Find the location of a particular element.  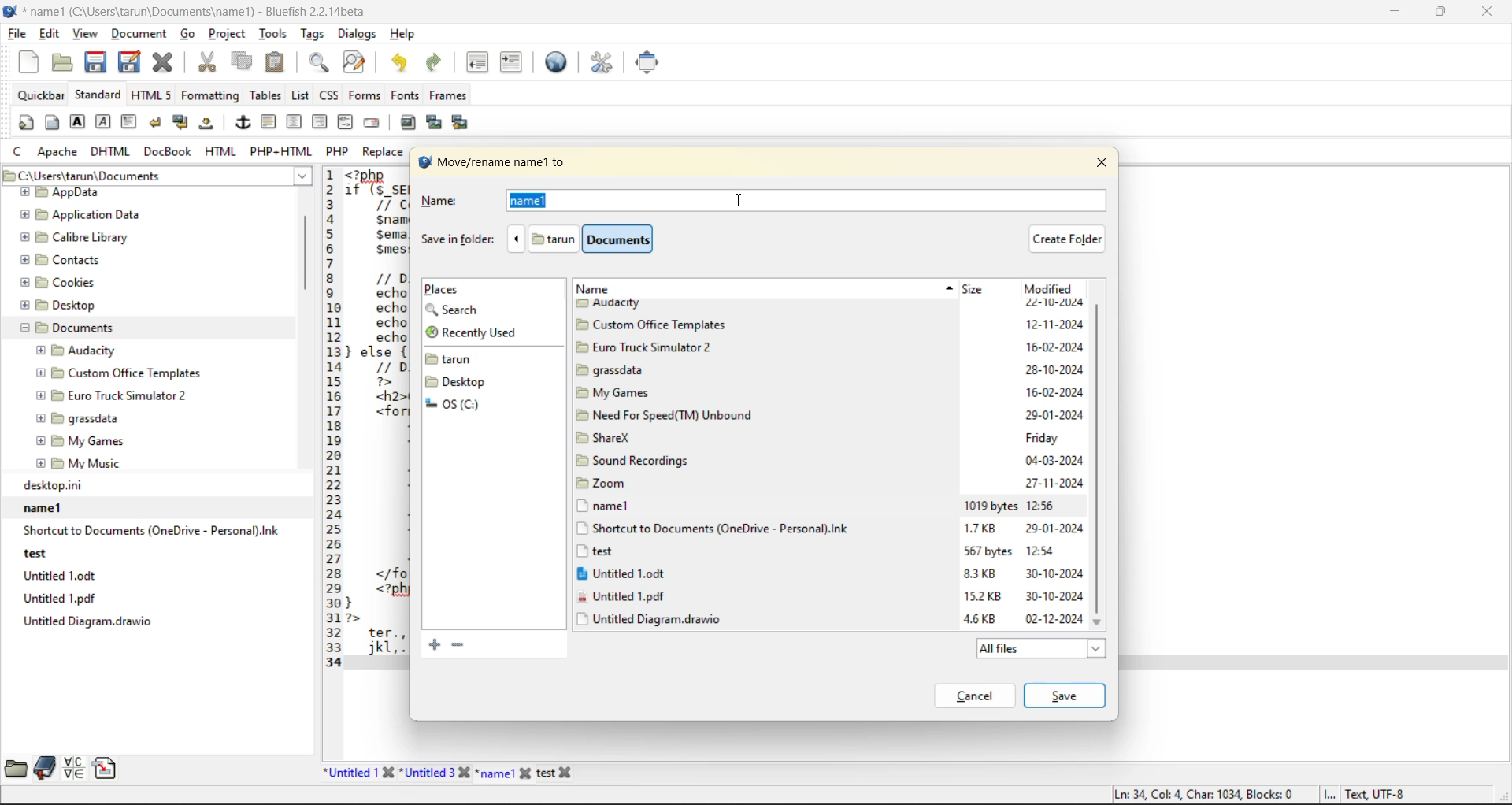

frames is located at coordinates (450, 95).